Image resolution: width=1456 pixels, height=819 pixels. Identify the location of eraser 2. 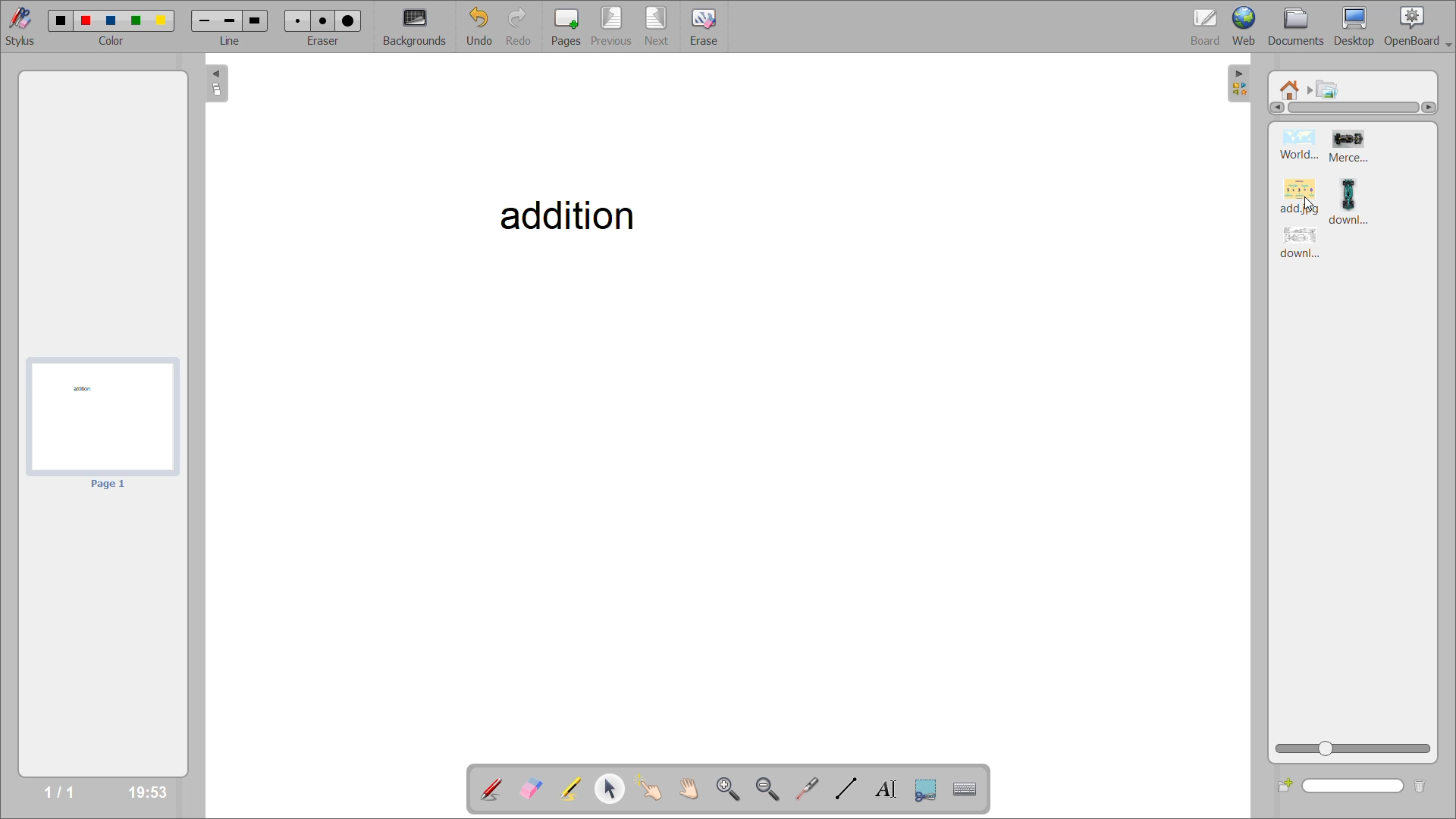
(319, 20).